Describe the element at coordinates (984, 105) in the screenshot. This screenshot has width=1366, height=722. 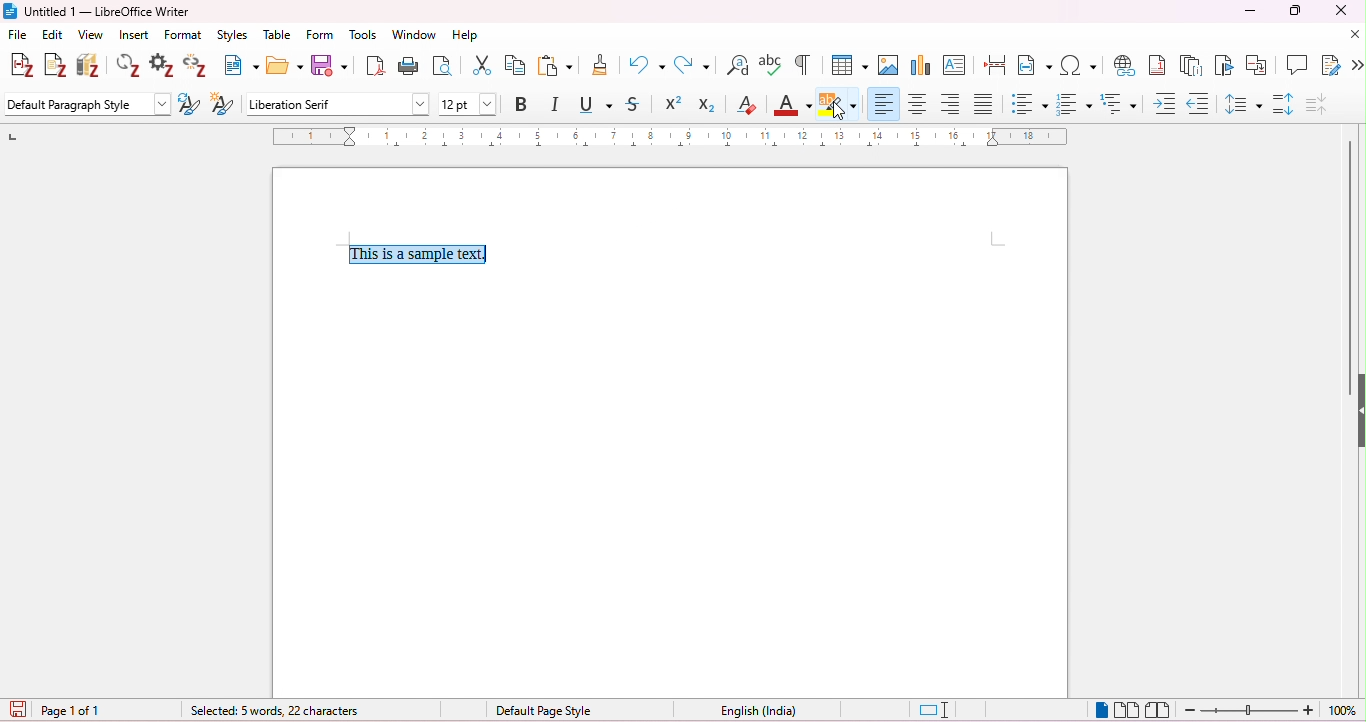
I see `justified` at that location.